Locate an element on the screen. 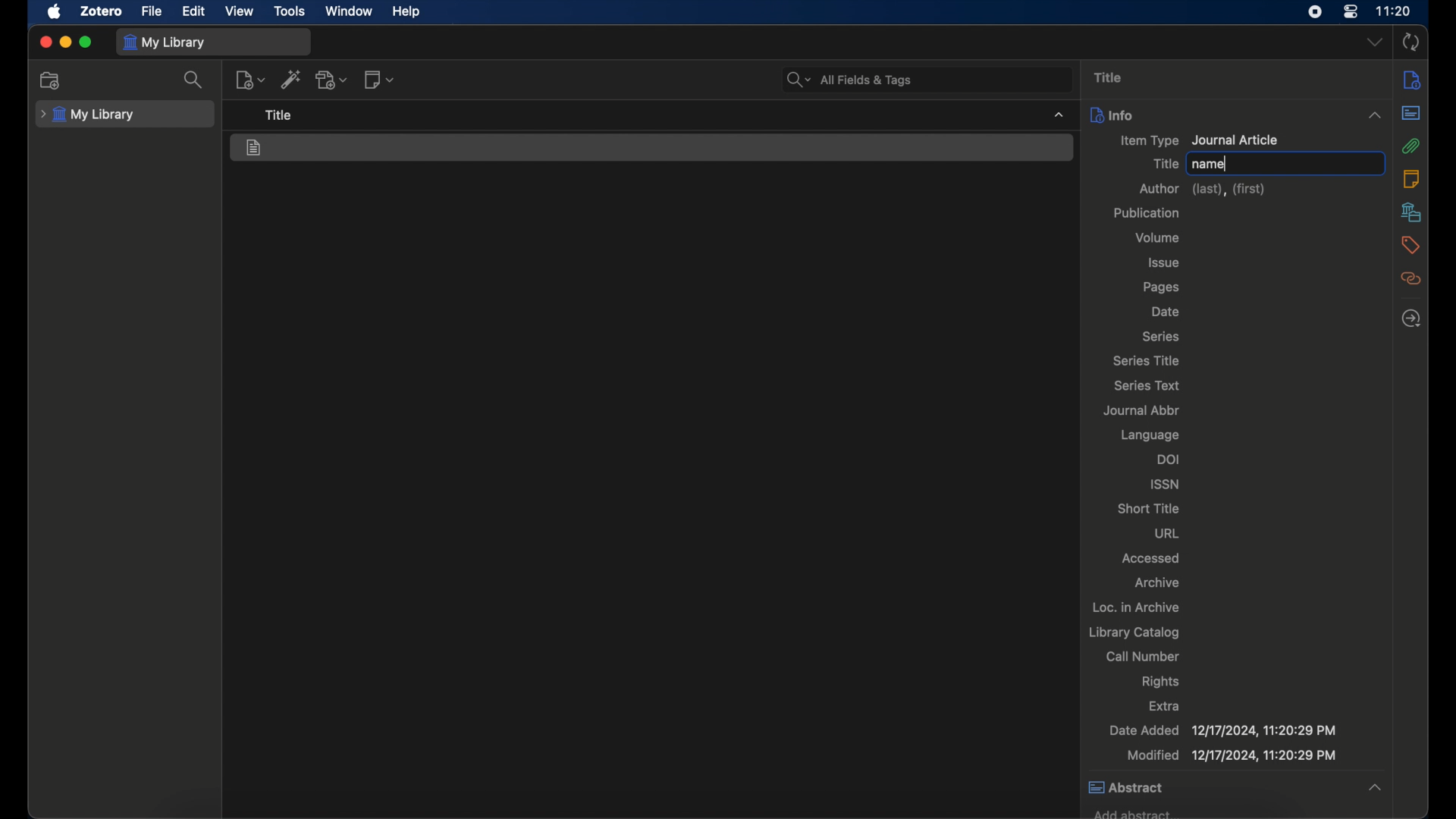 The height and width of the screenshot is (819, 1456). journal article is located at coordinates (255, 149).